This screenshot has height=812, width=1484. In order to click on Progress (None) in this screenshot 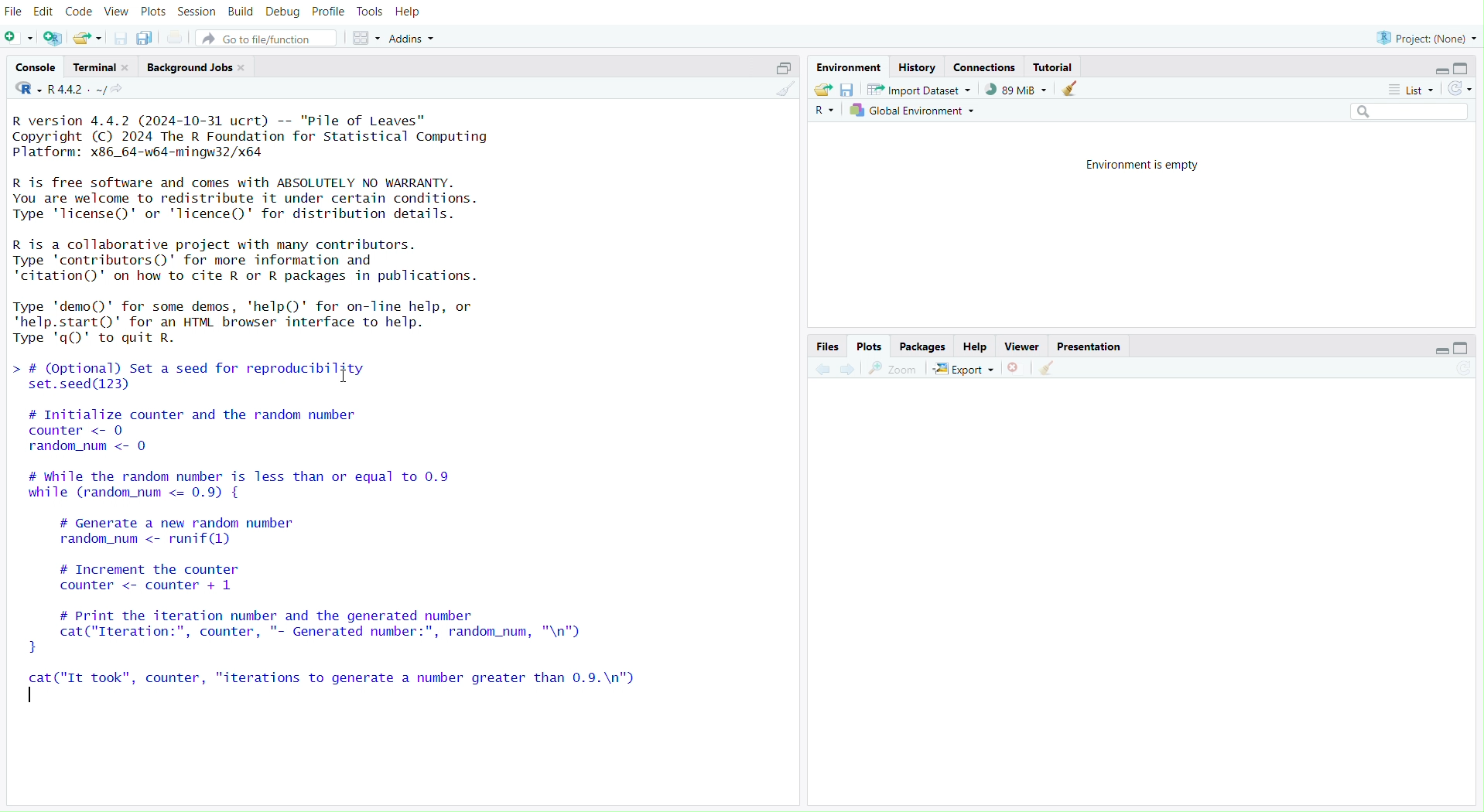, I will do `click(1428, 36)`.